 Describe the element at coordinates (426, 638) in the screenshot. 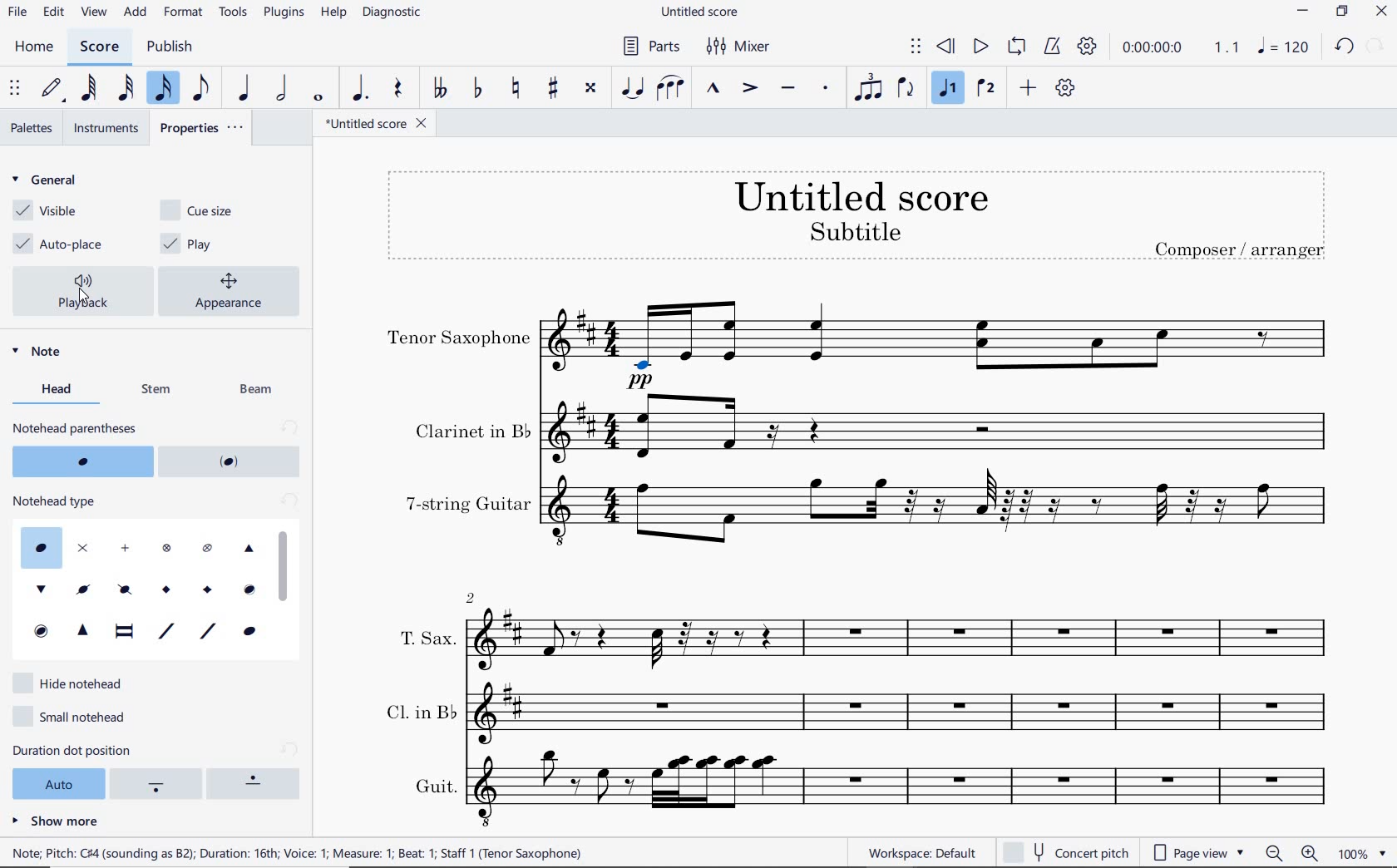

I see `text` at that location.